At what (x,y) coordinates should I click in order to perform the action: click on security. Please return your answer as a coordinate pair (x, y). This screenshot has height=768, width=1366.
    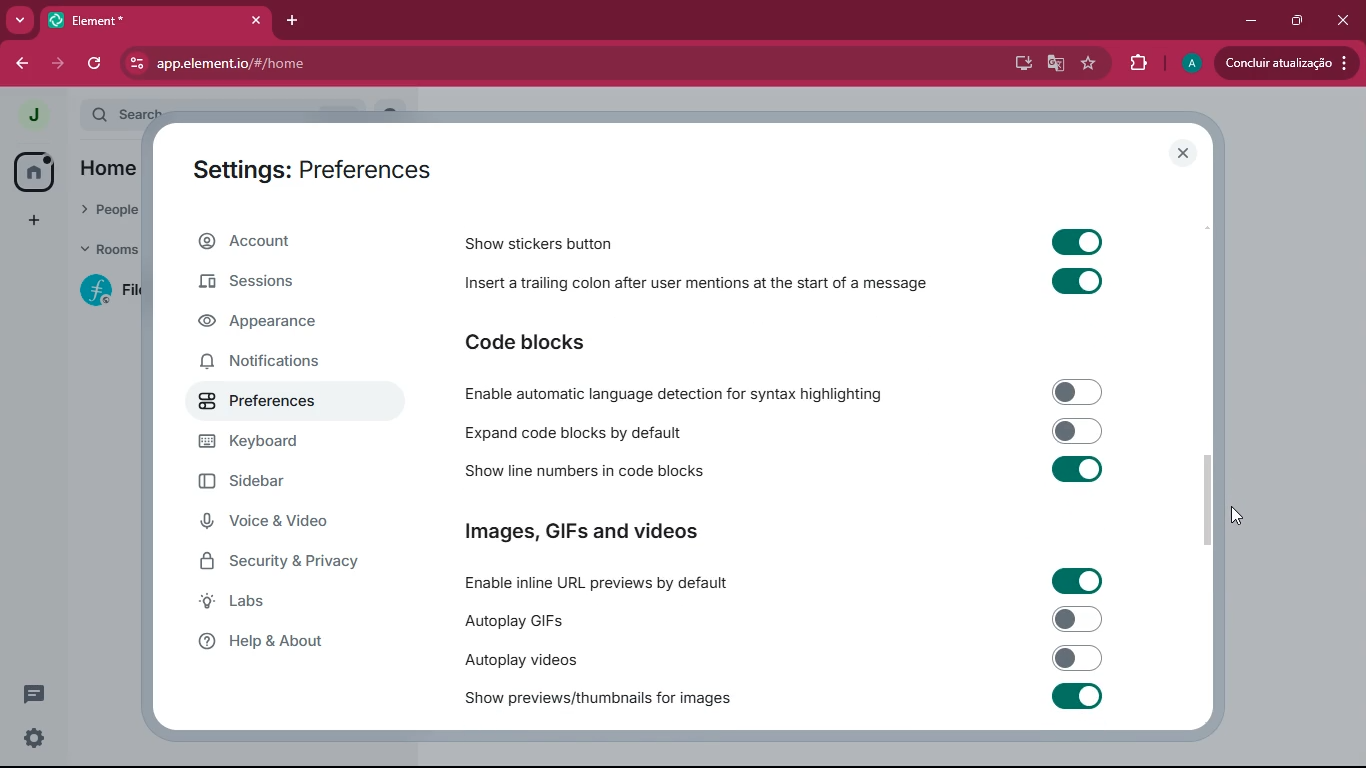
    Looking at the image, I should click on (296, 566).